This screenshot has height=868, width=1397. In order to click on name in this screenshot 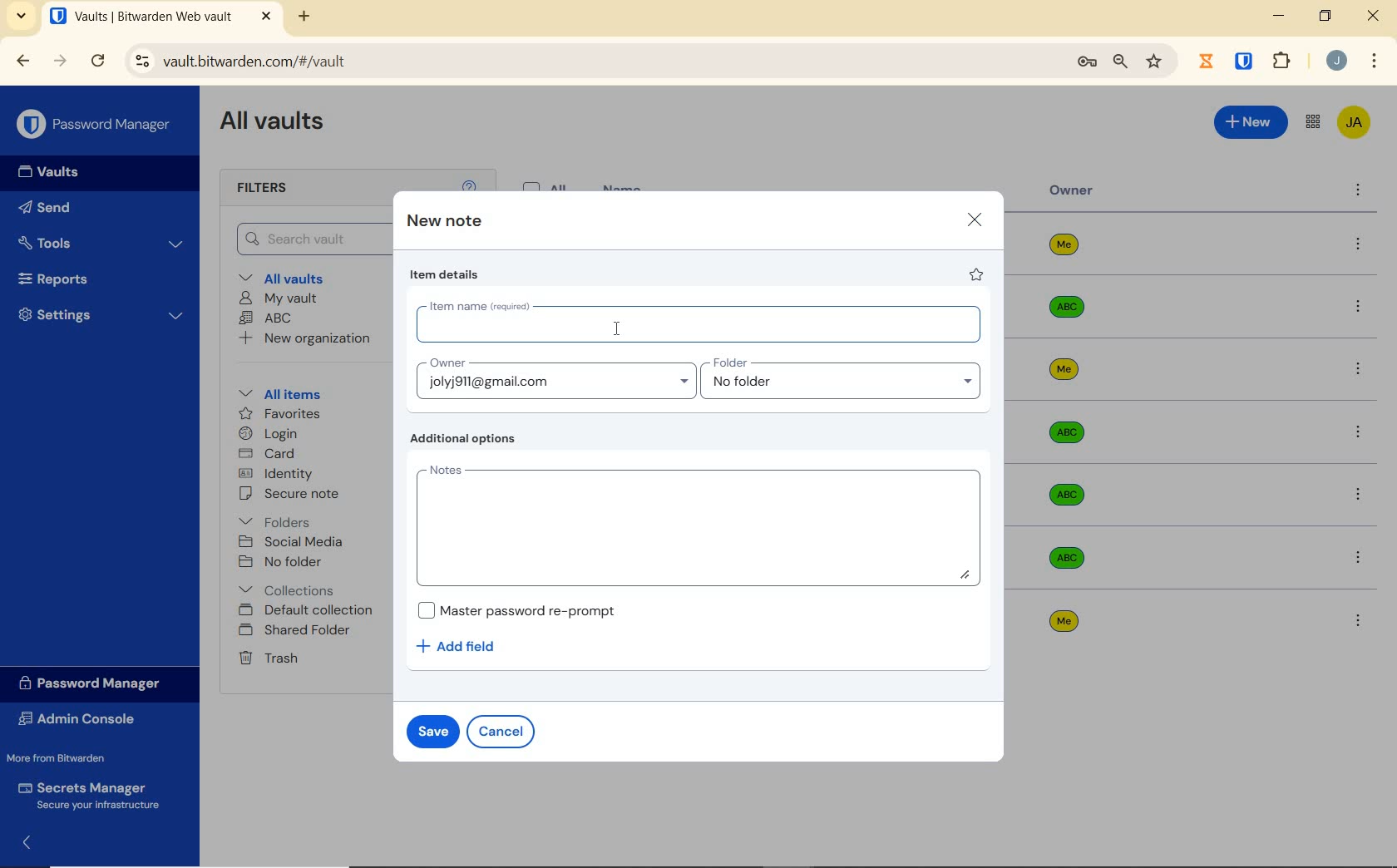, I will do `click(624, 186)`.